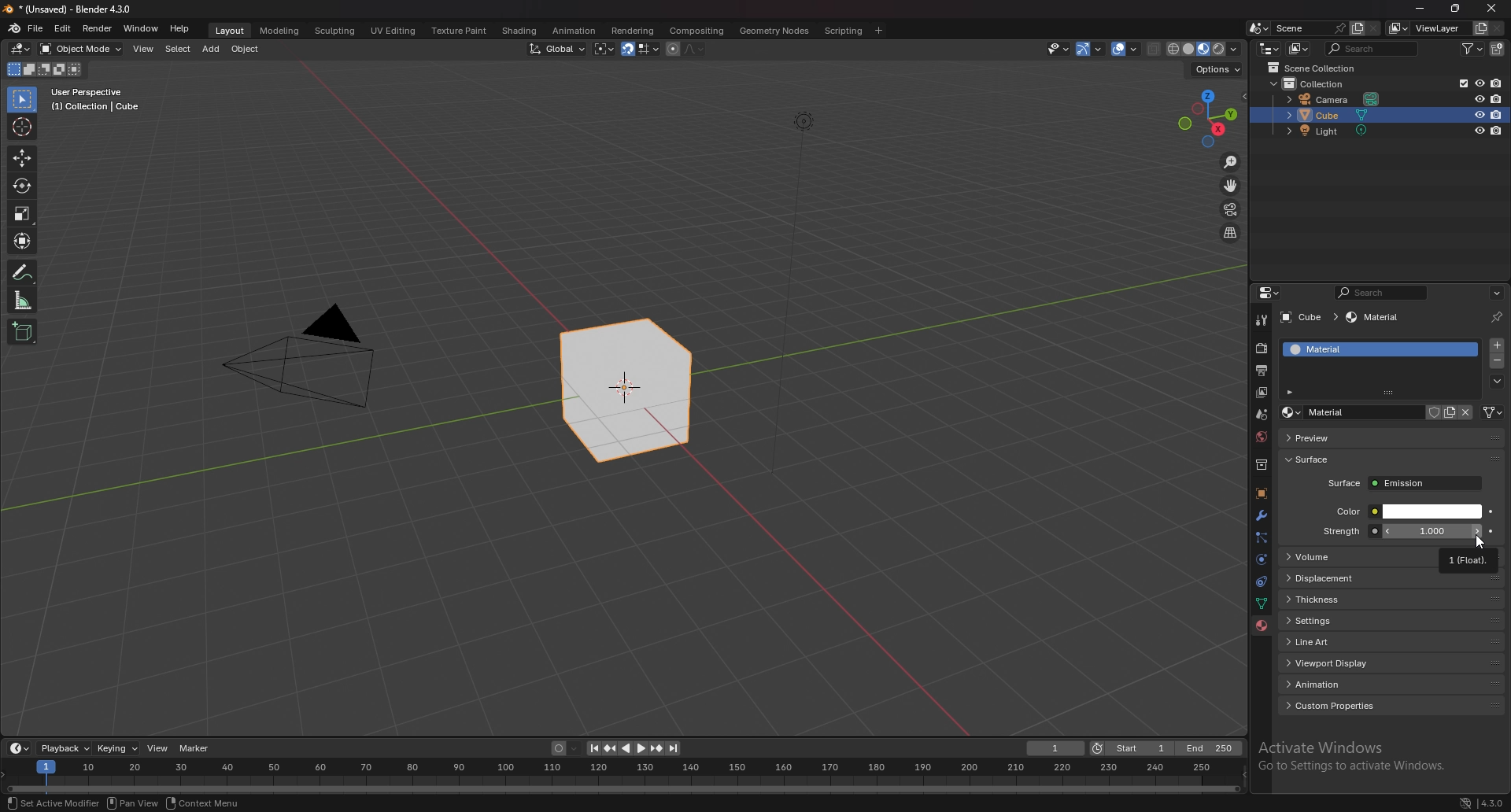 The height and width of the screenshot is (812, 1511). I want to click on animation, so click(1393, 685).